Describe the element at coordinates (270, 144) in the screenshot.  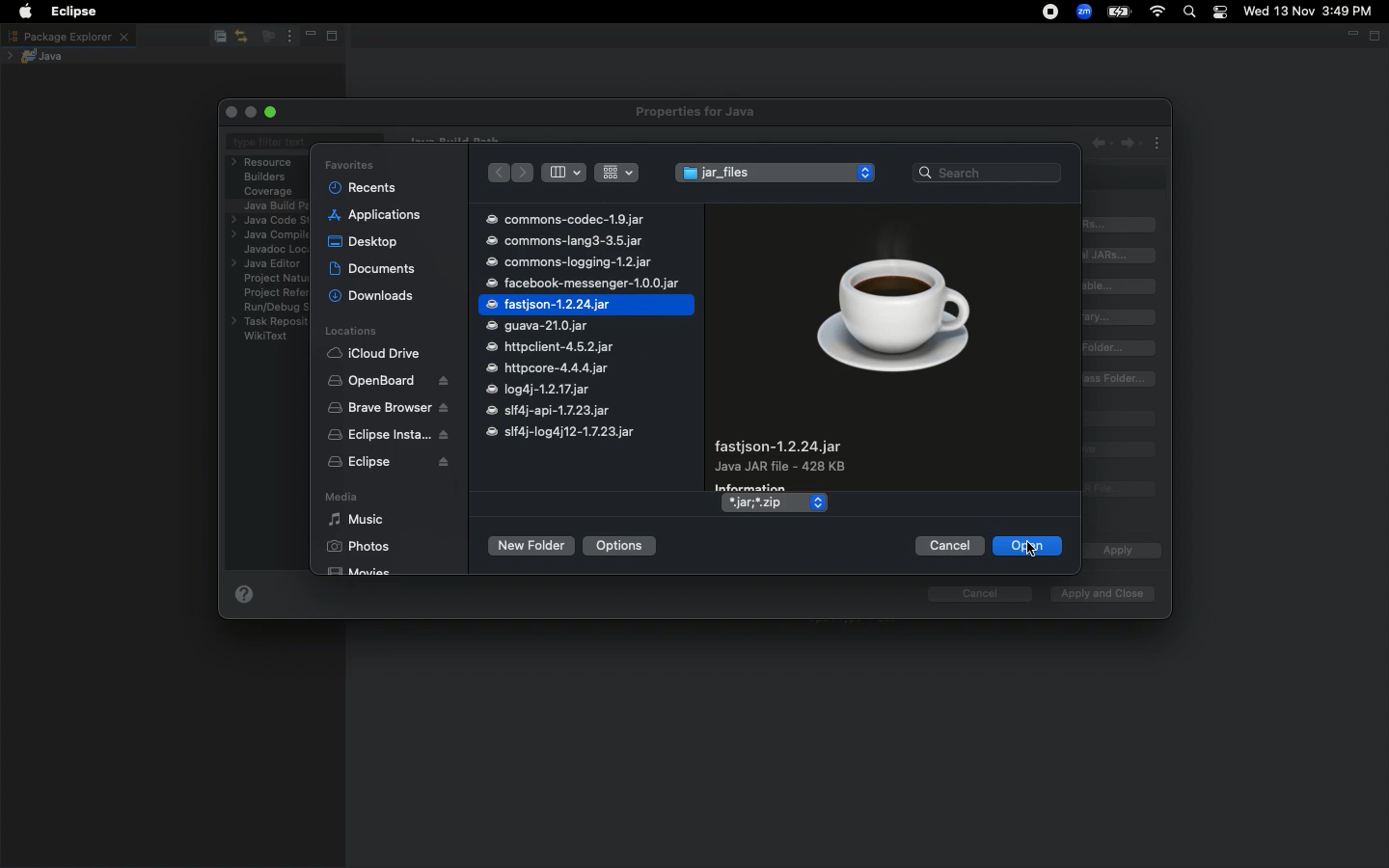
I see `Type filter text` at that location.